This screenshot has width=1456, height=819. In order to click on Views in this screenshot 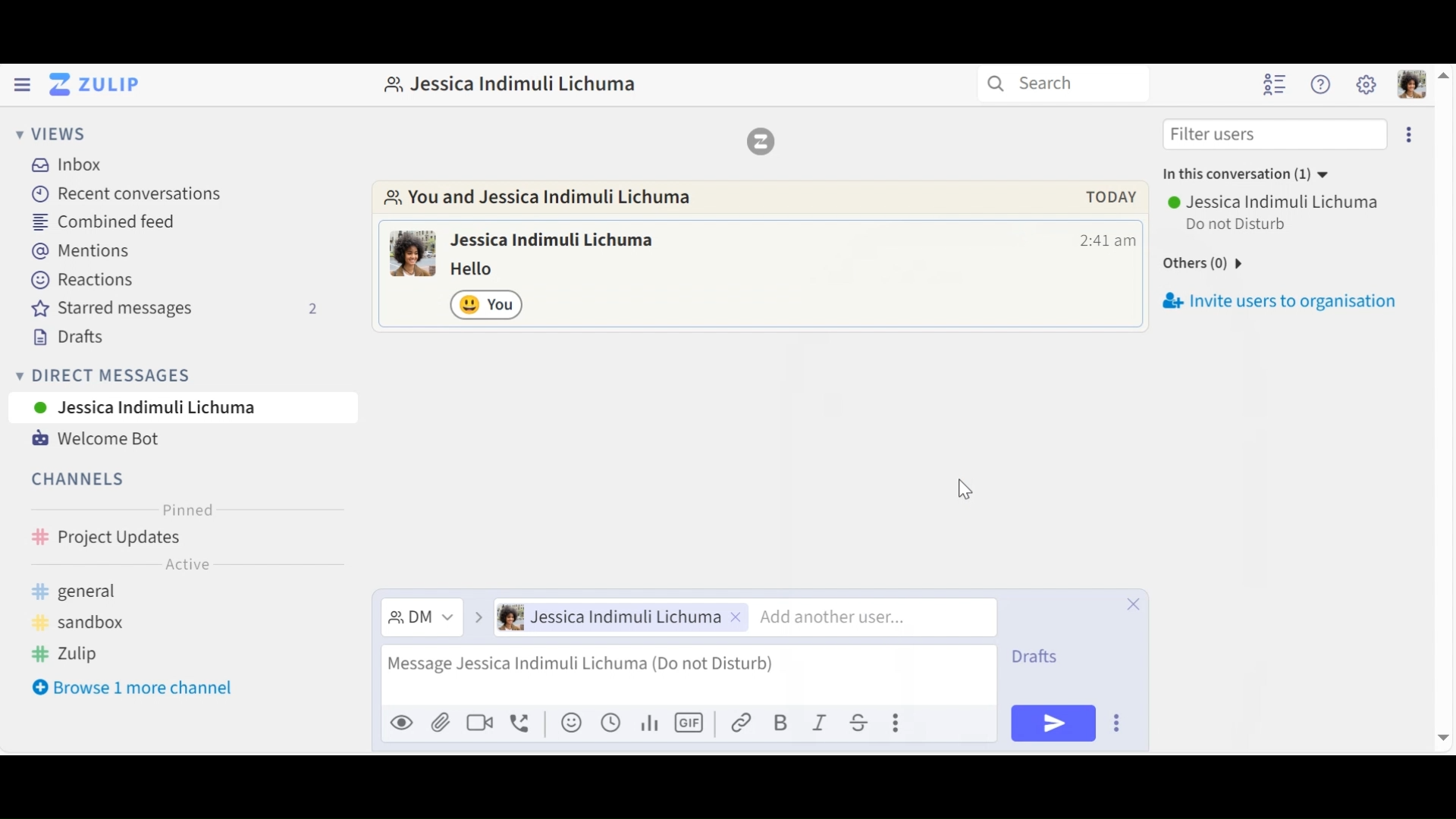, I will do `click(47, 132)`.